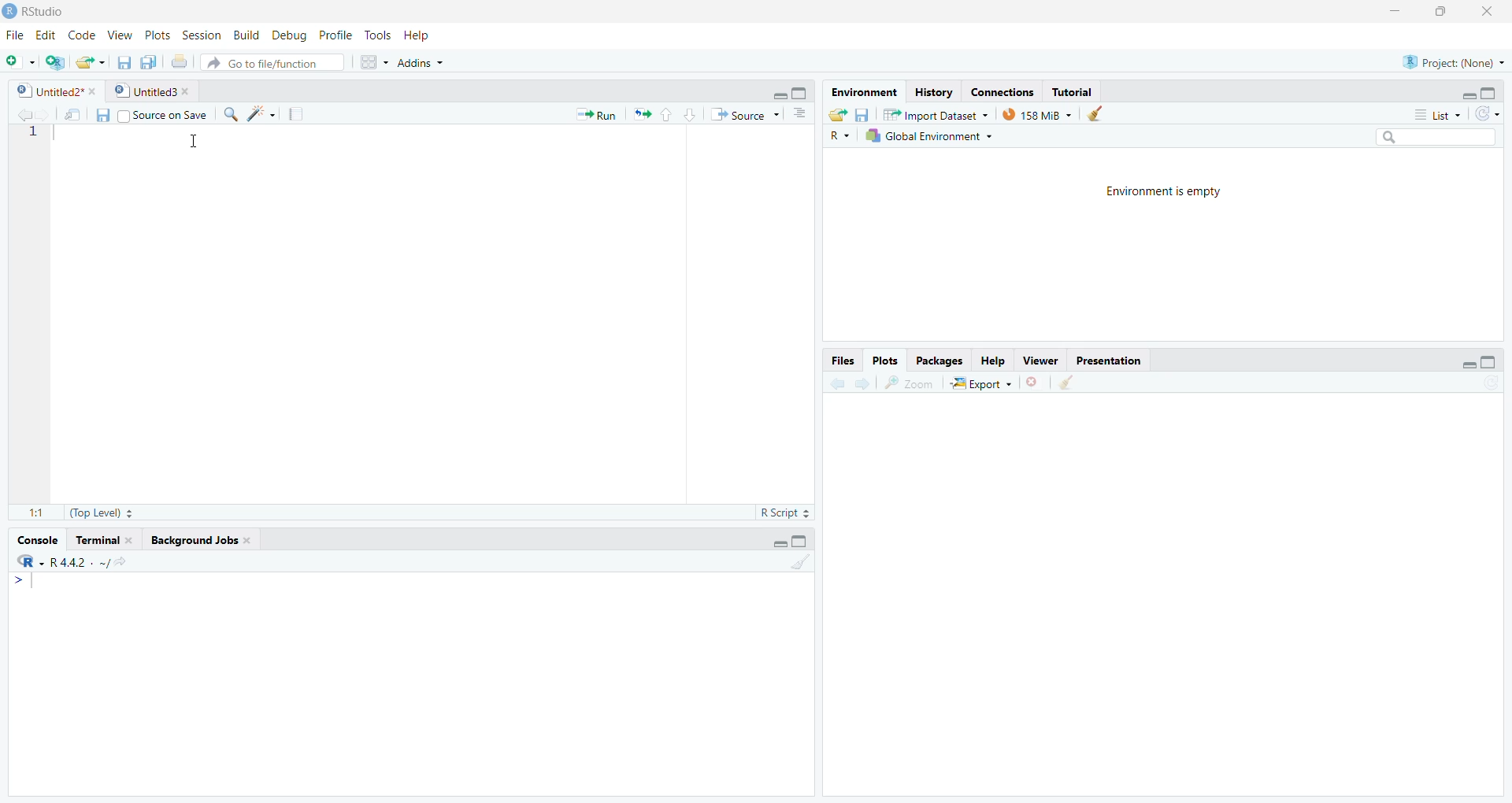 Image resolution: width=1512 pixels, height=803 pixels. What do you see at coordinates (124, 60) in the screenshot?
I see `save current file` at bounding box center [124, 60].